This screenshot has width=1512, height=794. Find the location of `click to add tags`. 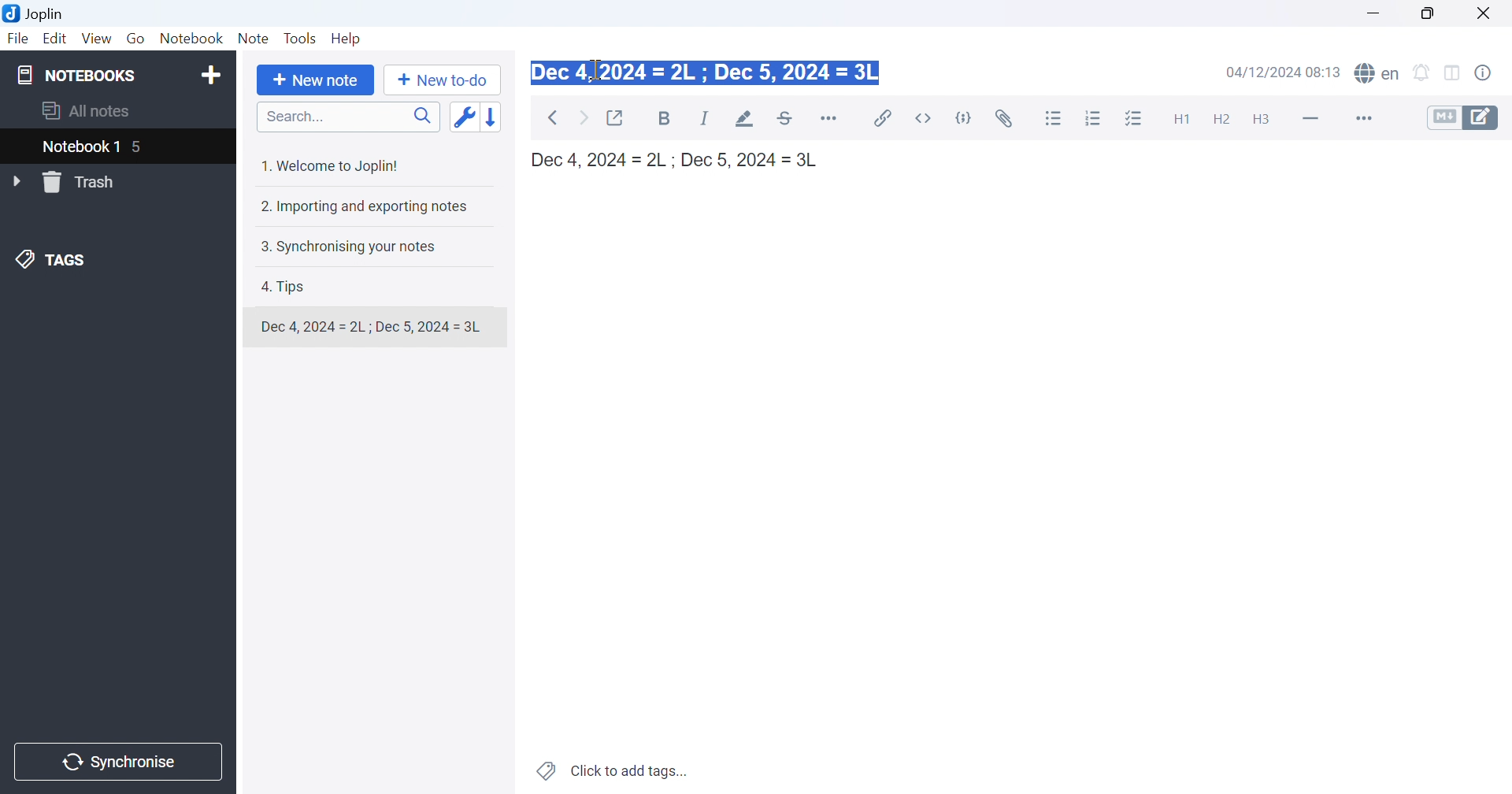

click to add tags is located at coordinates (614, 772).